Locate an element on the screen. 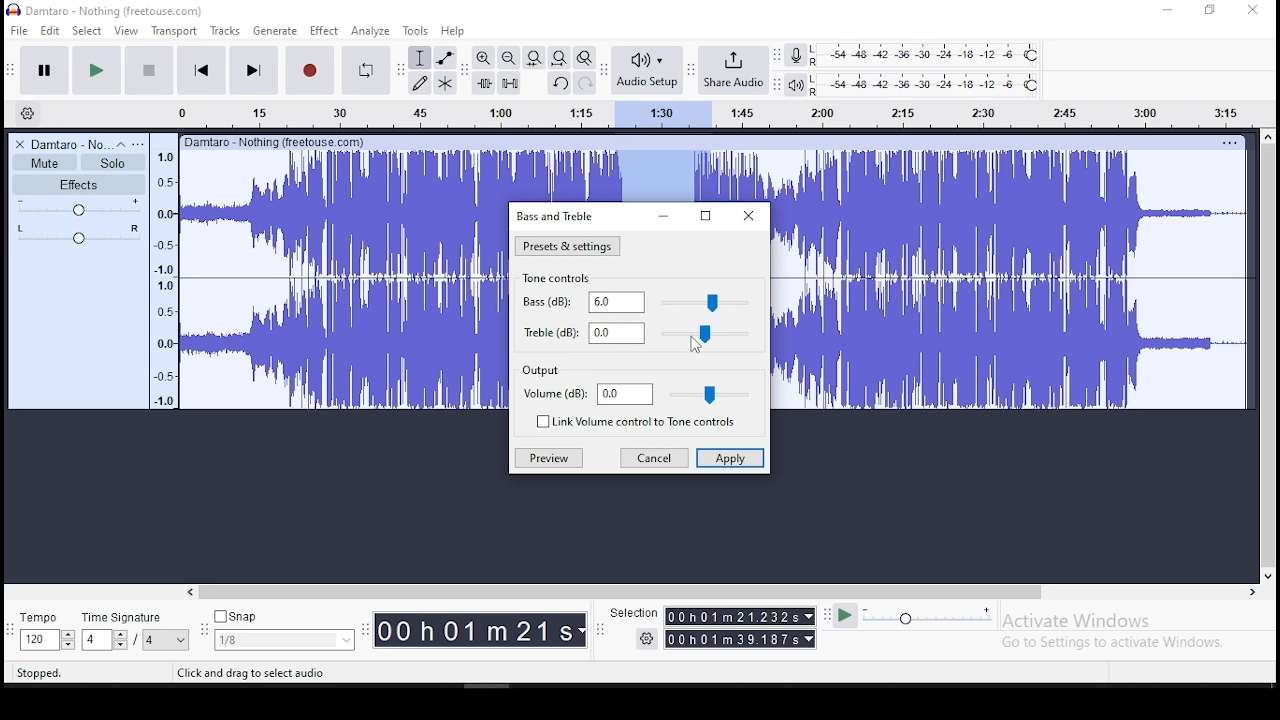 Image resolution: width=1280 pixels, height=720 pixels.  is located at coordinates (399, 68).